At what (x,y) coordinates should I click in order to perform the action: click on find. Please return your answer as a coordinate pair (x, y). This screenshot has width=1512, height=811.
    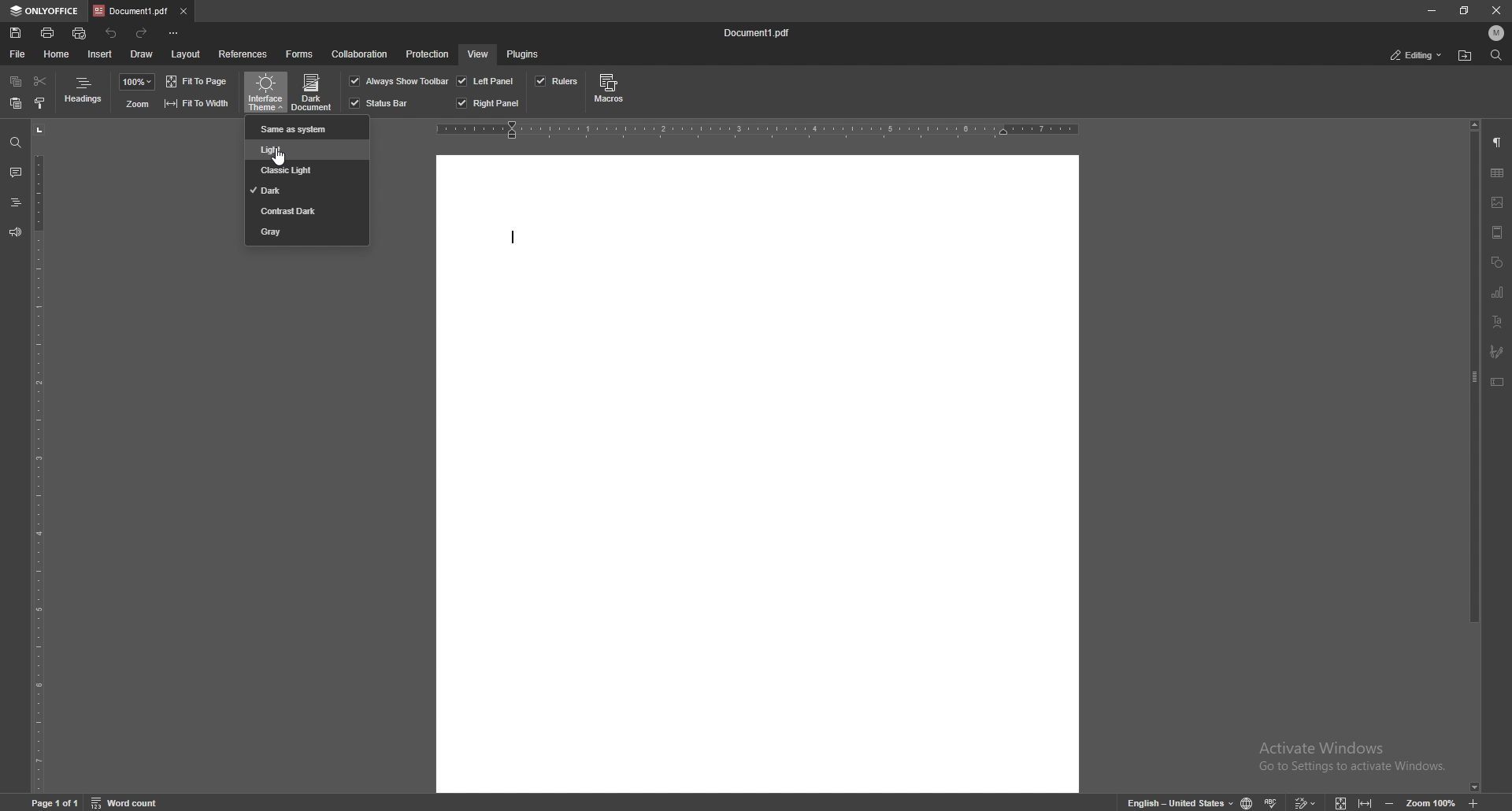
    Looking at the image, I should click on (1496, 55).